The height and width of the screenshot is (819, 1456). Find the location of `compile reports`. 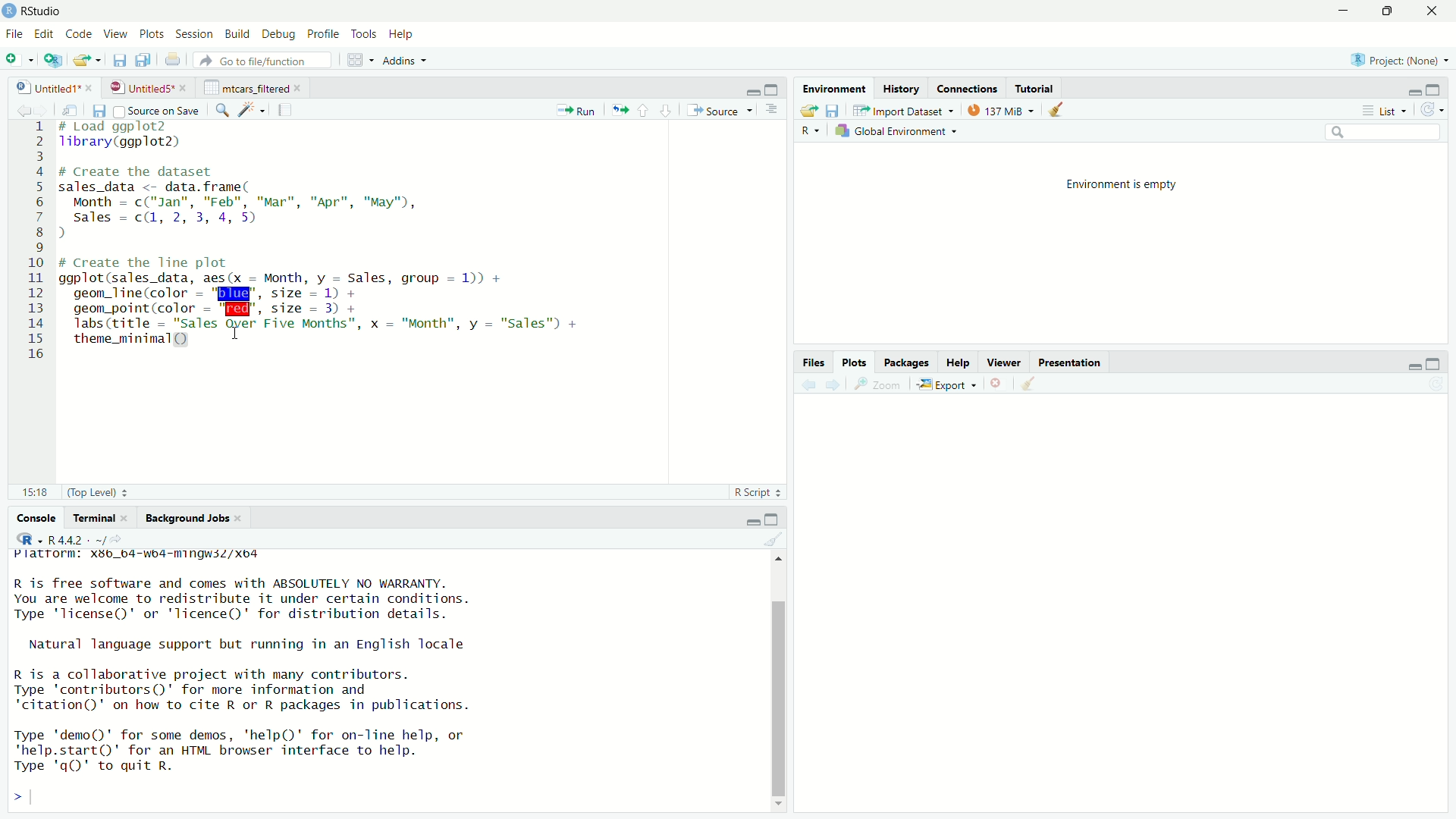

compile reports is located at coordinates (285, 109).